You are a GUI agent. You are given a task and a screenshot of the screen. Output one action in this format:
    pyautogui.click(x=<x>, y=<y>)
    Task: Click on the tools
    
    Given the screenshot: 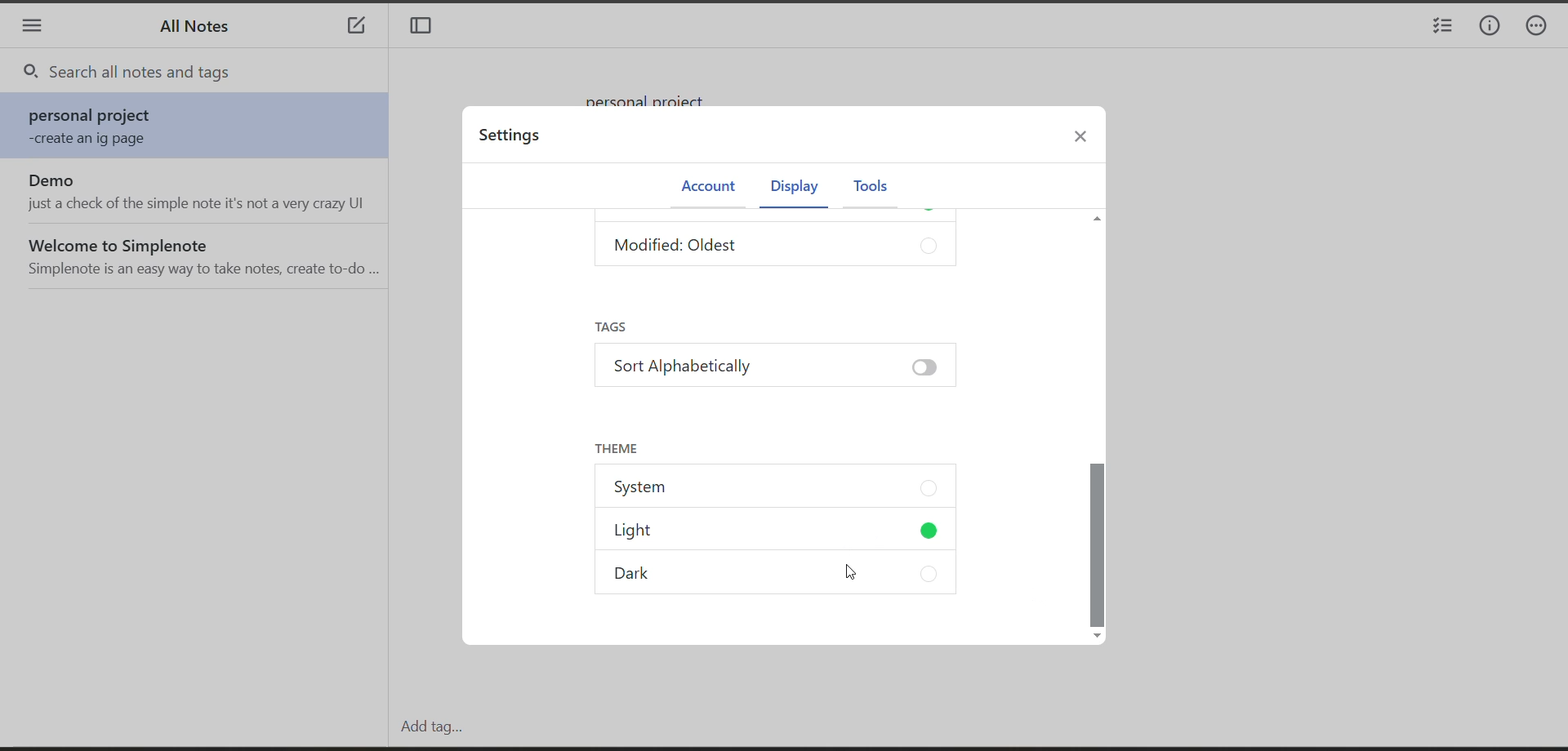 What is the action you would take?
    pyautogui.click(x=870, y=188)
    